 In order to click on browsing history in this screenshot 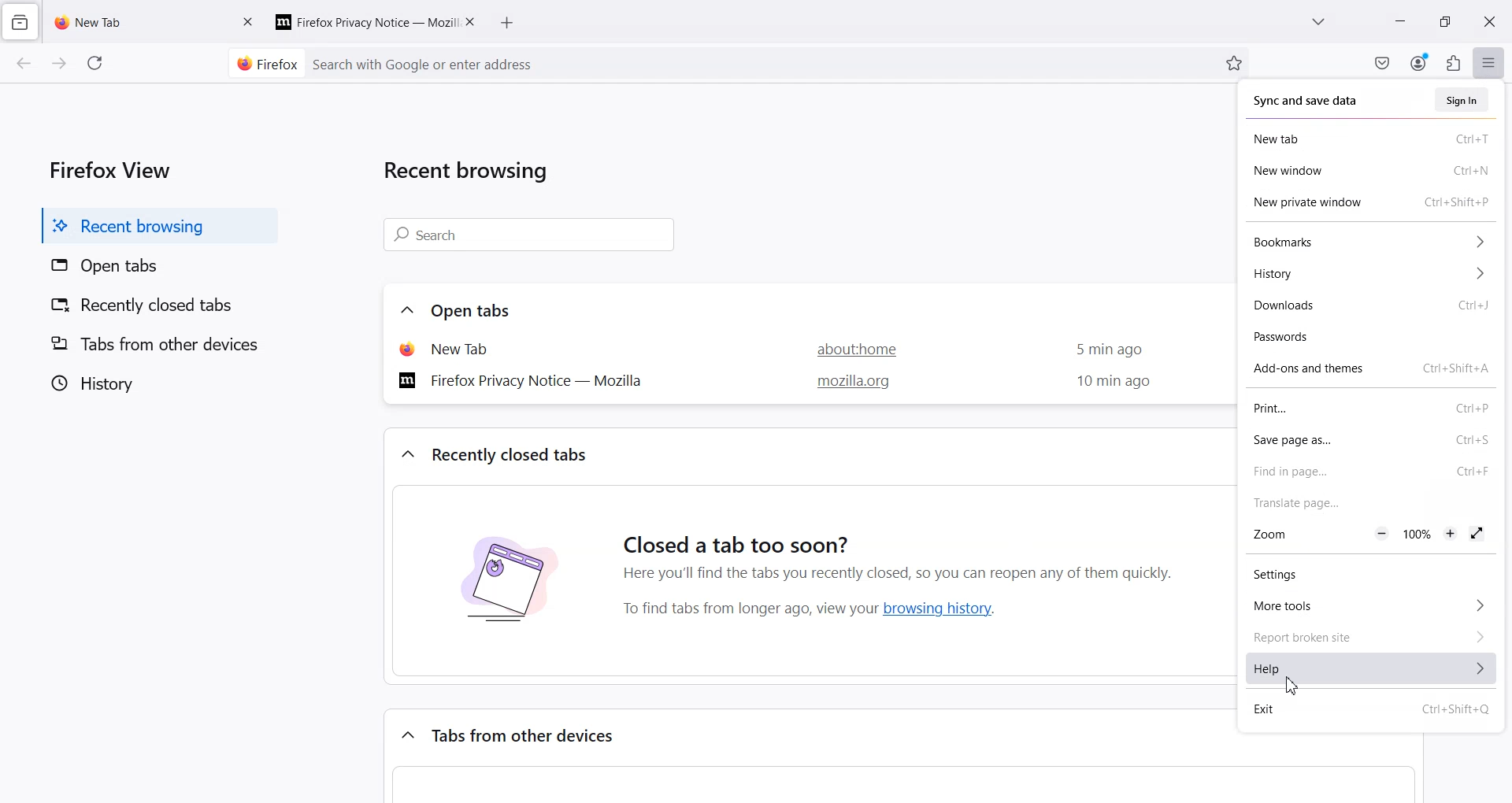, I will do `click(944, 608)`.